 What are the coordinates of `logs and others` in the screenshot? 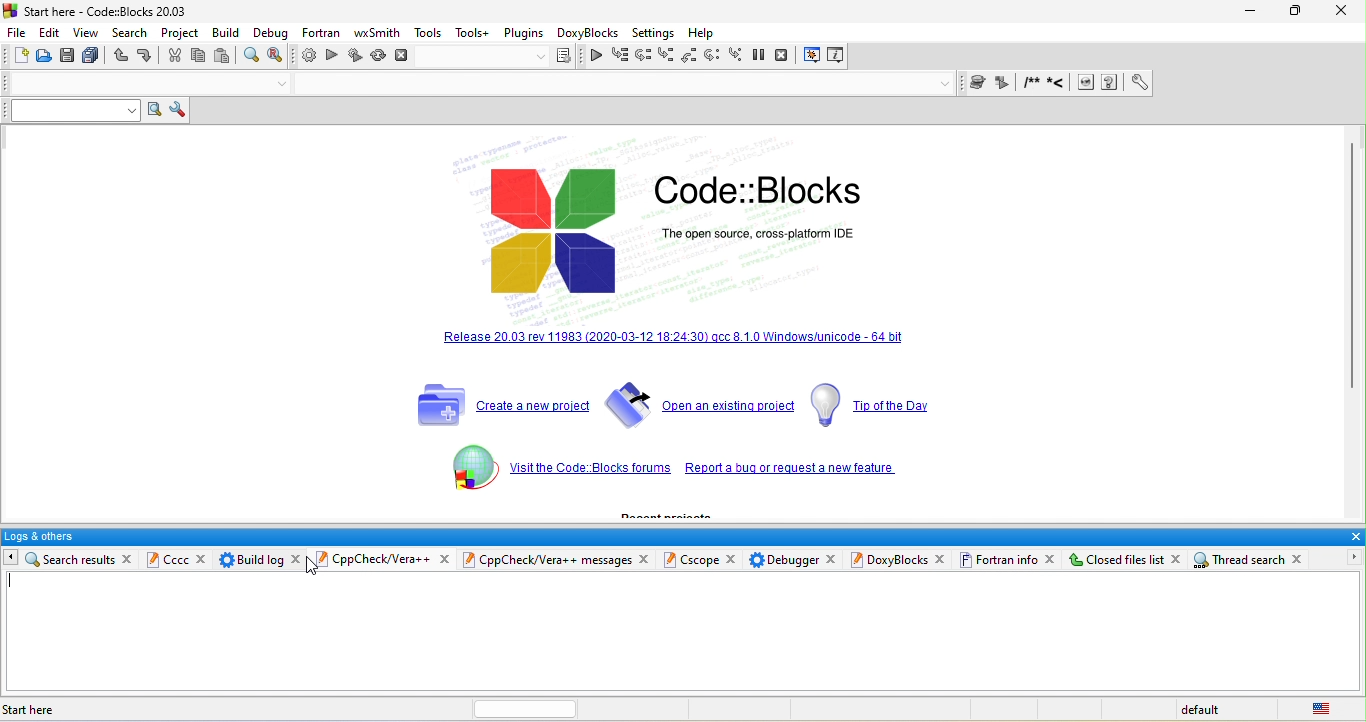 It's located at (668, 536).